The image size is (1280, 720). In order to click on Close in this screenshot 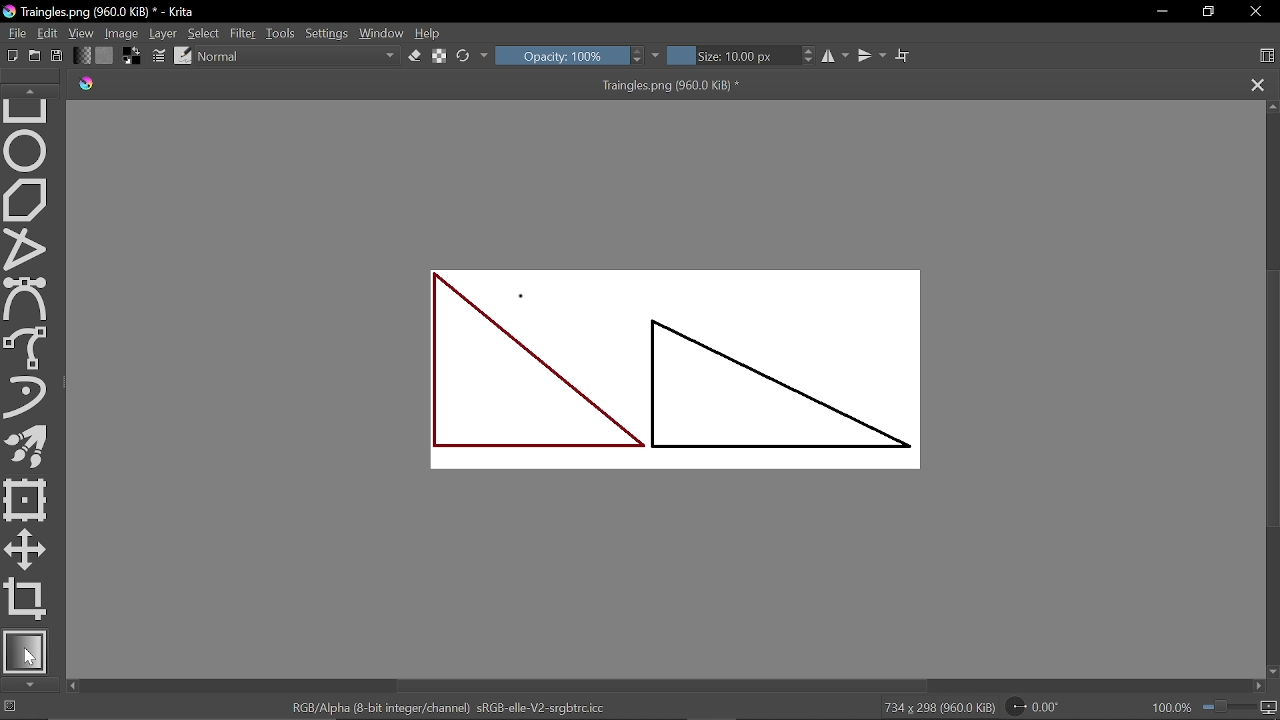, I will do `click(1255, 14)`.